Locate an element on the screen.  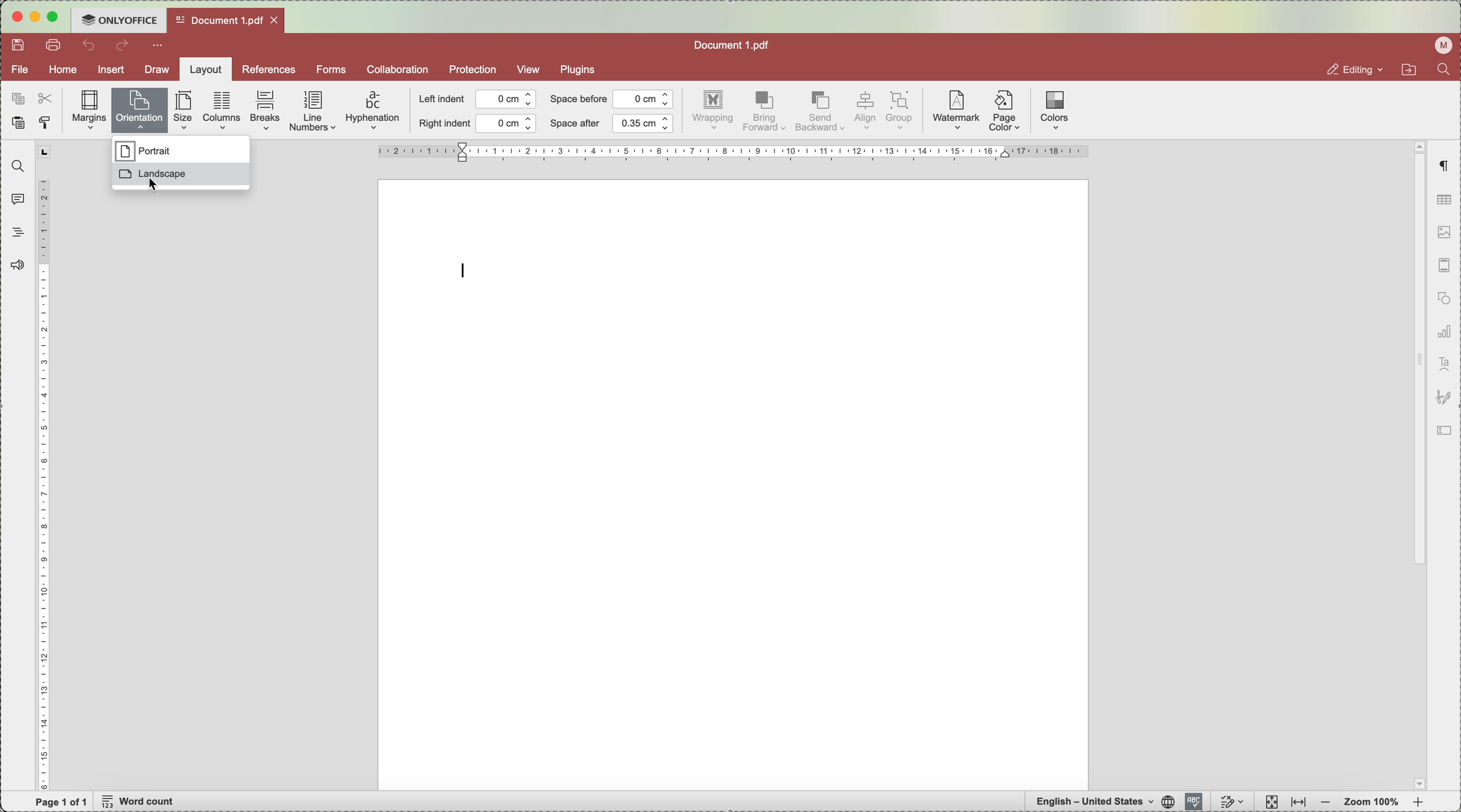
columns is located at coordinates (222, 109).